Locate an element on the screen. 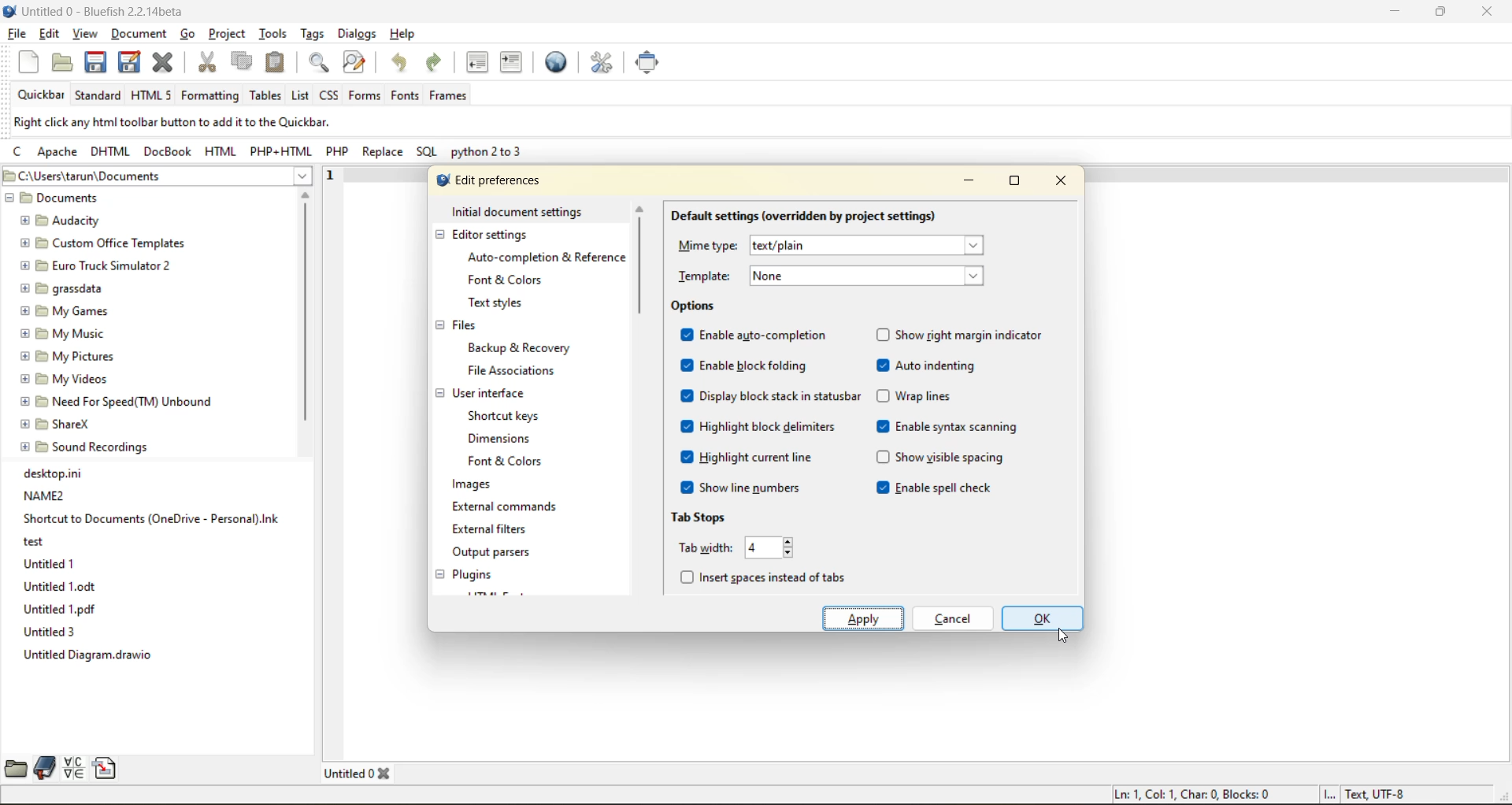 The image size is (1512, 805). display  block stack in statusbar is located at coordinates (773, 396).